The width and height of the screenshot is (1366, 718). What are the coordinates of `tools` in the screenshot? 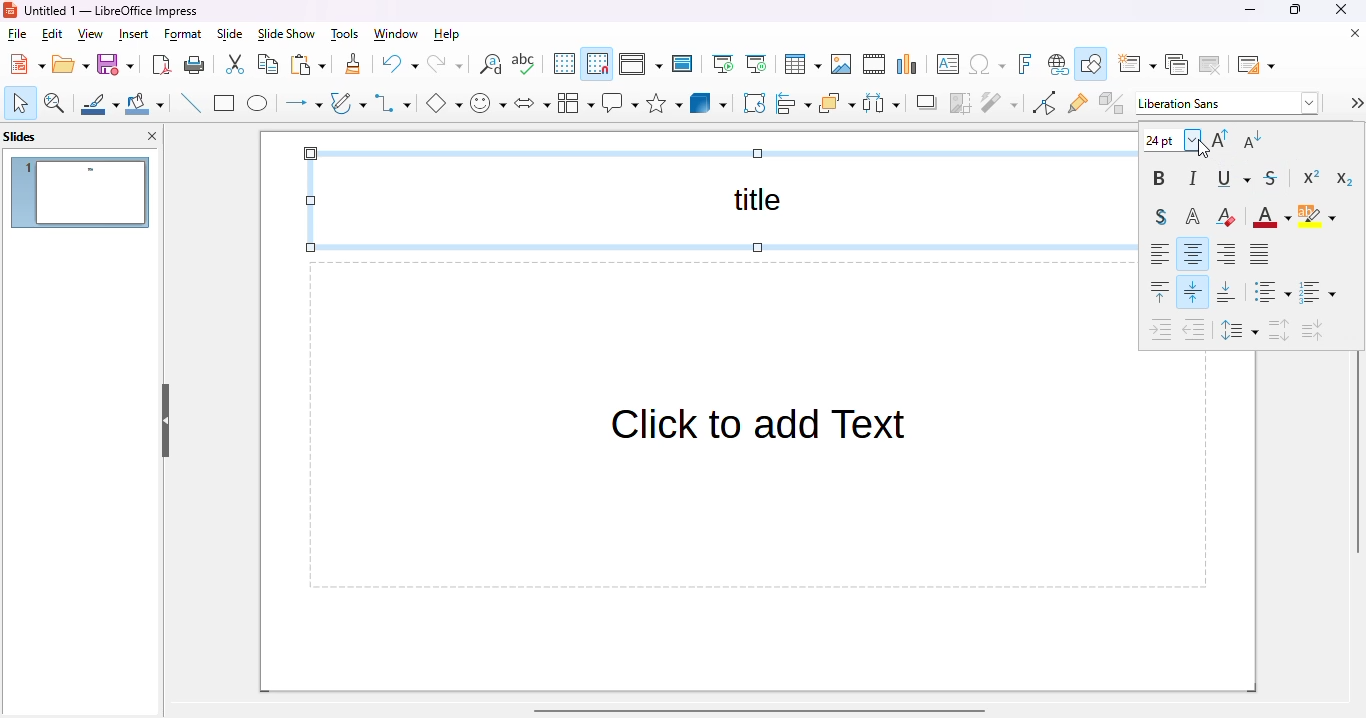 It's located at (345, 35).